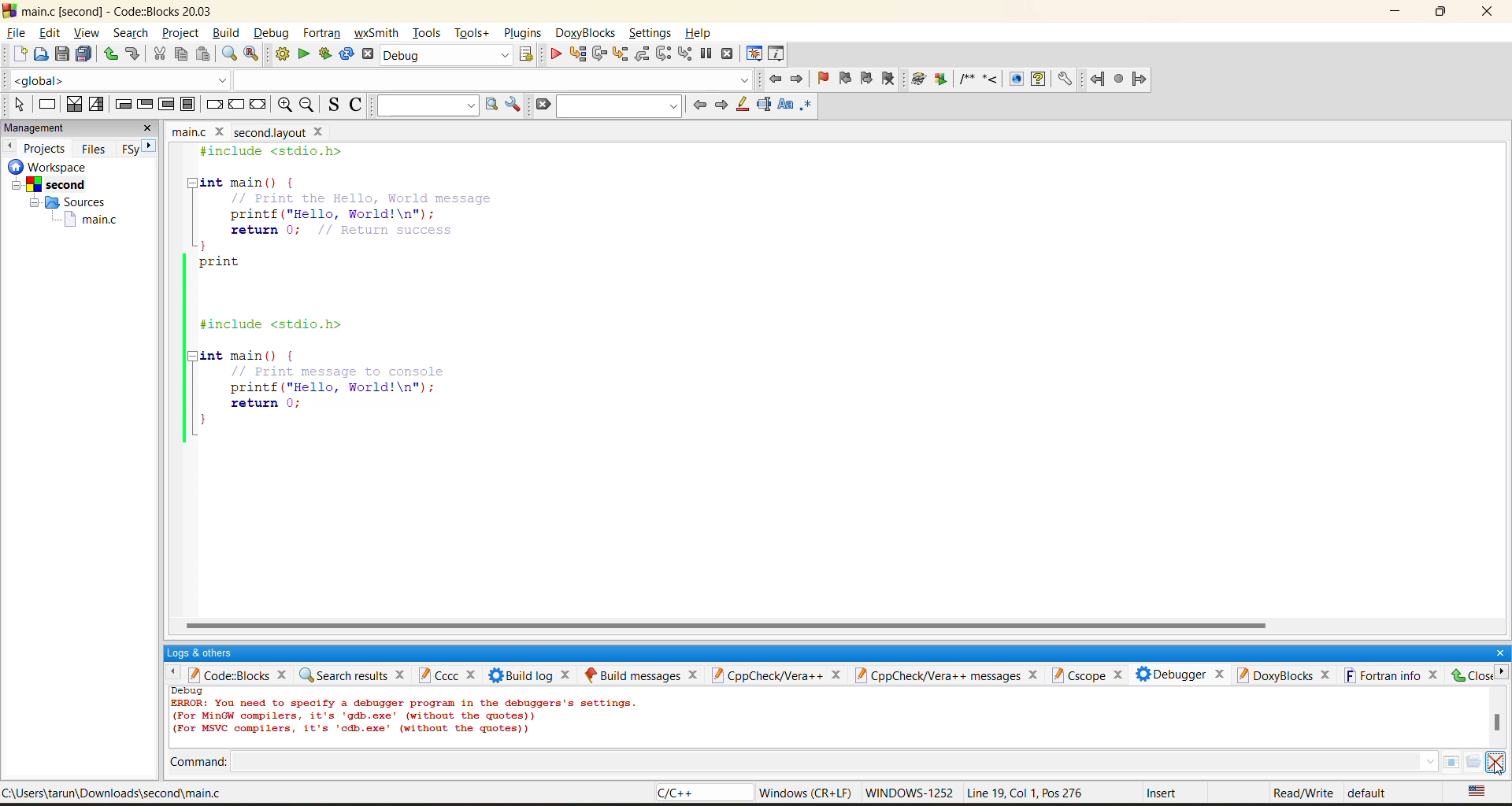 The width and height of the screenshot is (1512, 806). What do you see at coordinates (250, 55) in the screenshot?
I see `replace` at bounding box center [250, 55].